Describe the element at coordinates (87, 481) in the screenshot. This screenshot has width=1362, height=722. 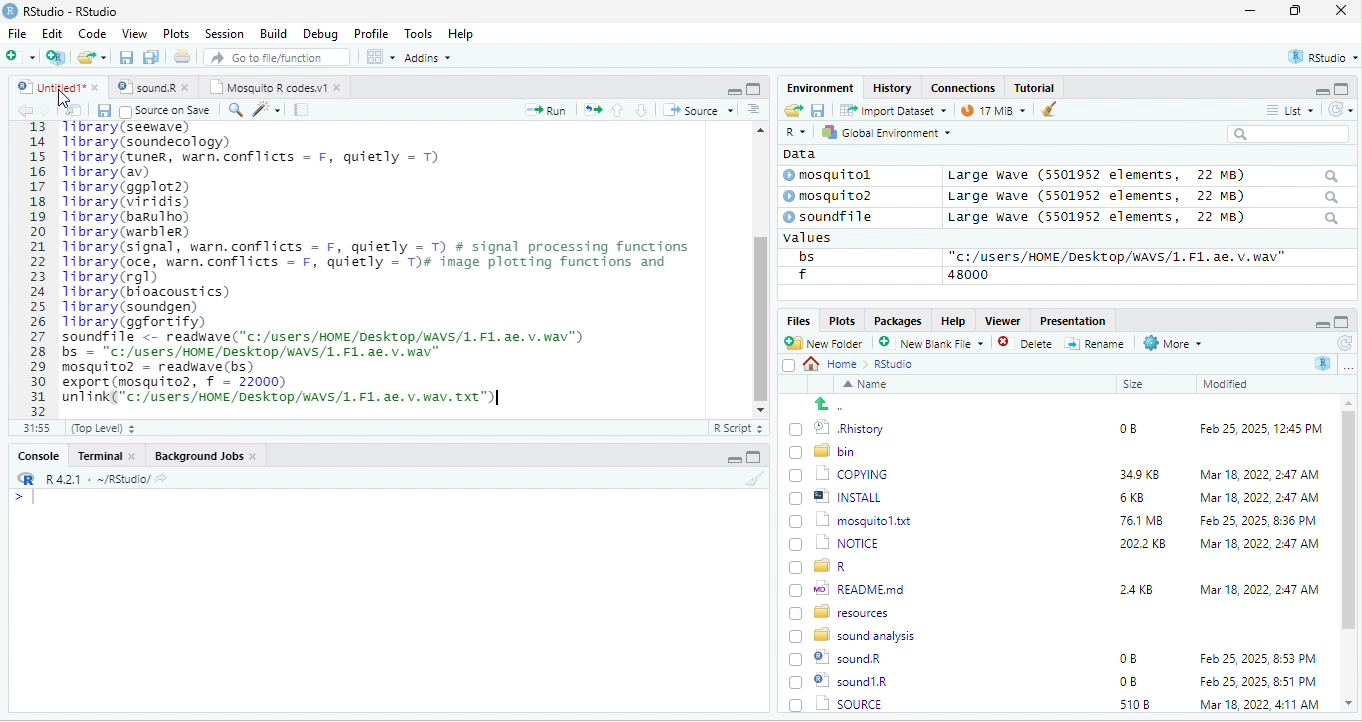
I see `RR R421 - ~/RStudio/` at that location.